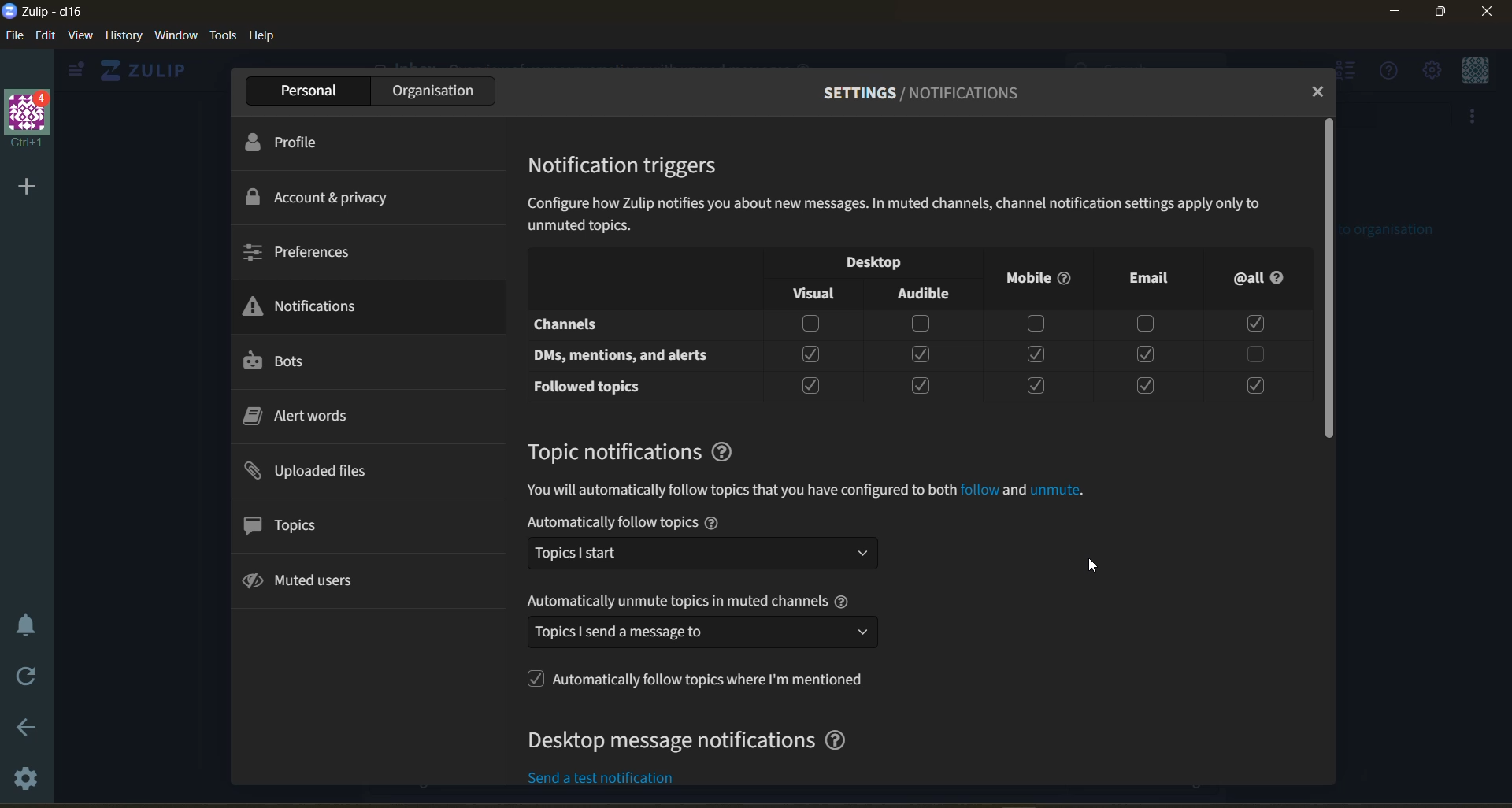 This screenshot has height=808, width=1512. I want to click on Checkbox, so click(811, 387).